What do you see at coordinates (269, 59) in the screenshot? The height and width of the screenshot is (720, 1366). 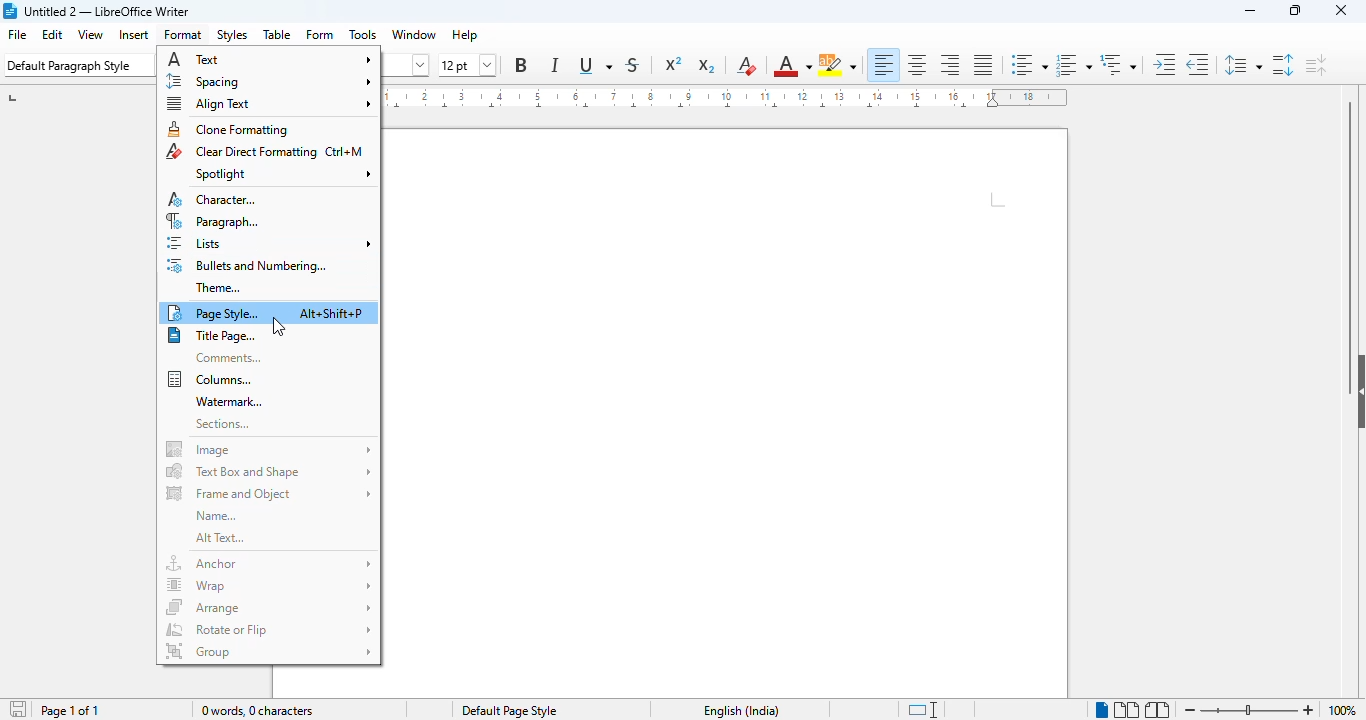 I see `text` at bounding box center [269, 59].